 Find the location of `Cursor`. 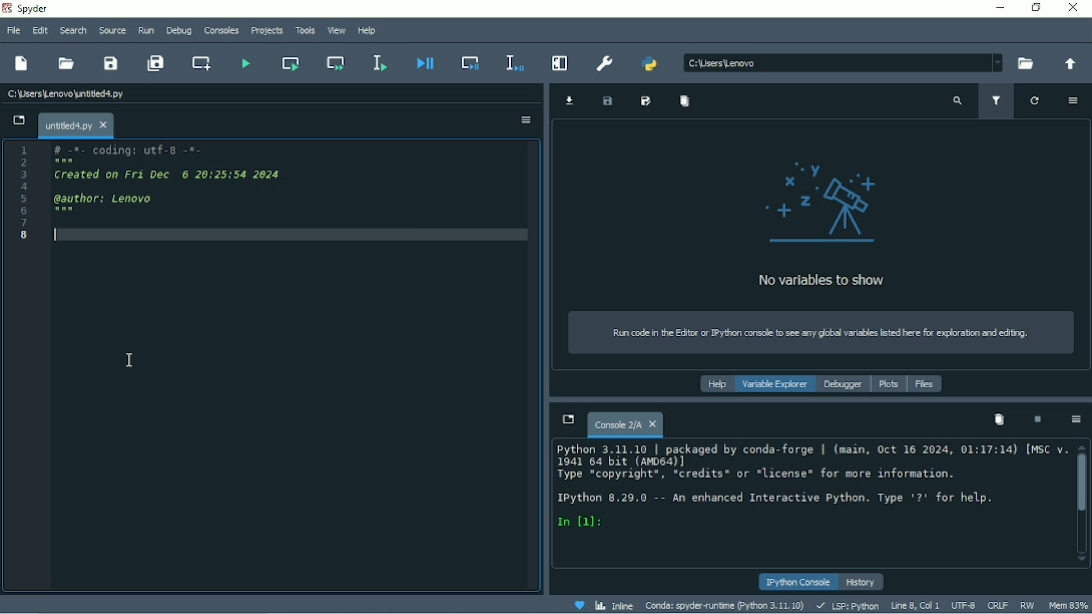

Cursor is located at coordinates (128, 363).